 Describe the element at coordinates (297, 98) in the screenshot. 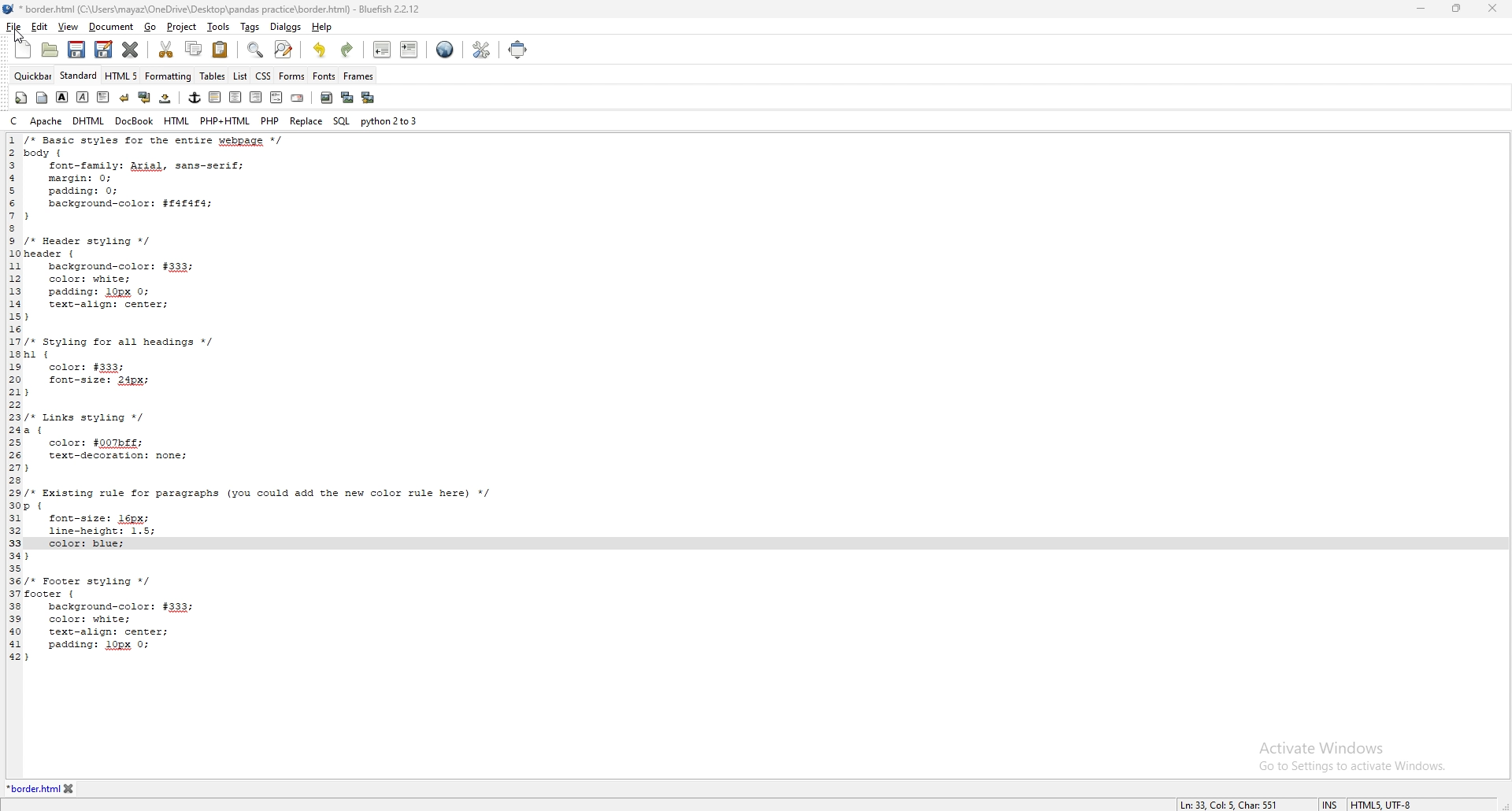

I see `email` at that location.